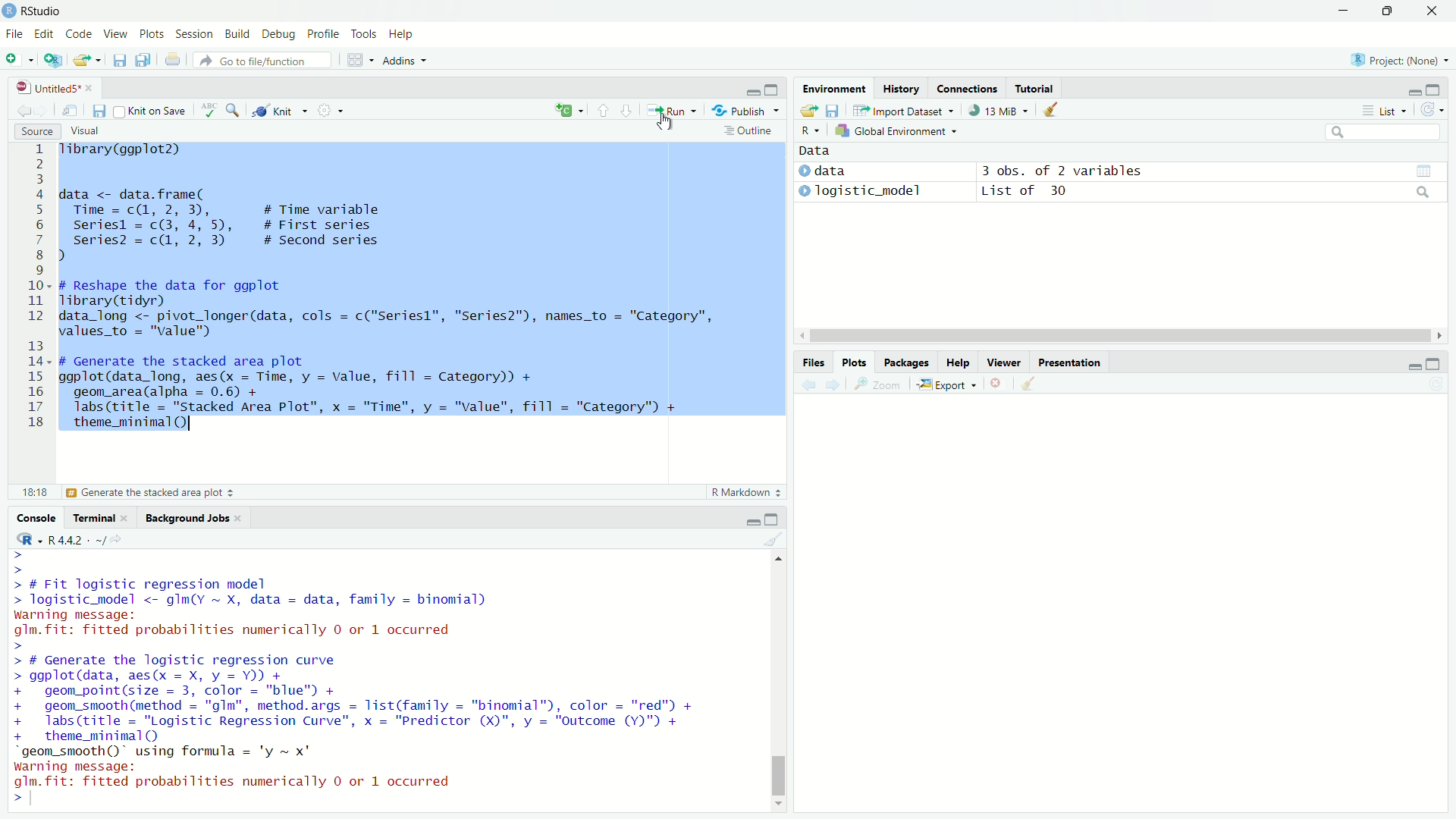 The image size is (1456, 819). What do you see at coordinates (1435, 10) in the screenshot?
I see `close` at bounding box center [1435, 10].